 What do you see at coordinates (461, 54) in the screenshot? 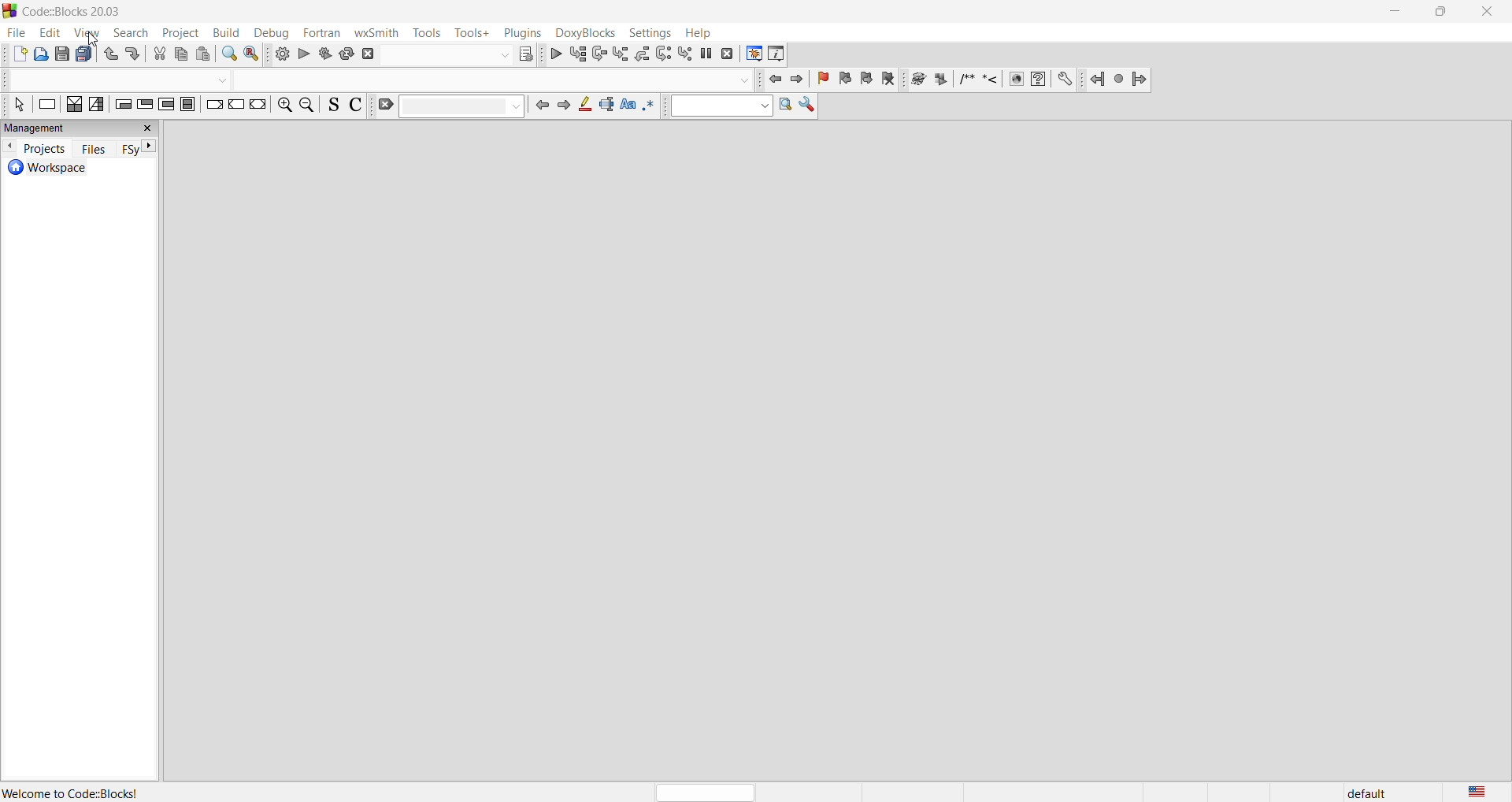
I see `show the select target dialog` at bounding box center [461, 54].